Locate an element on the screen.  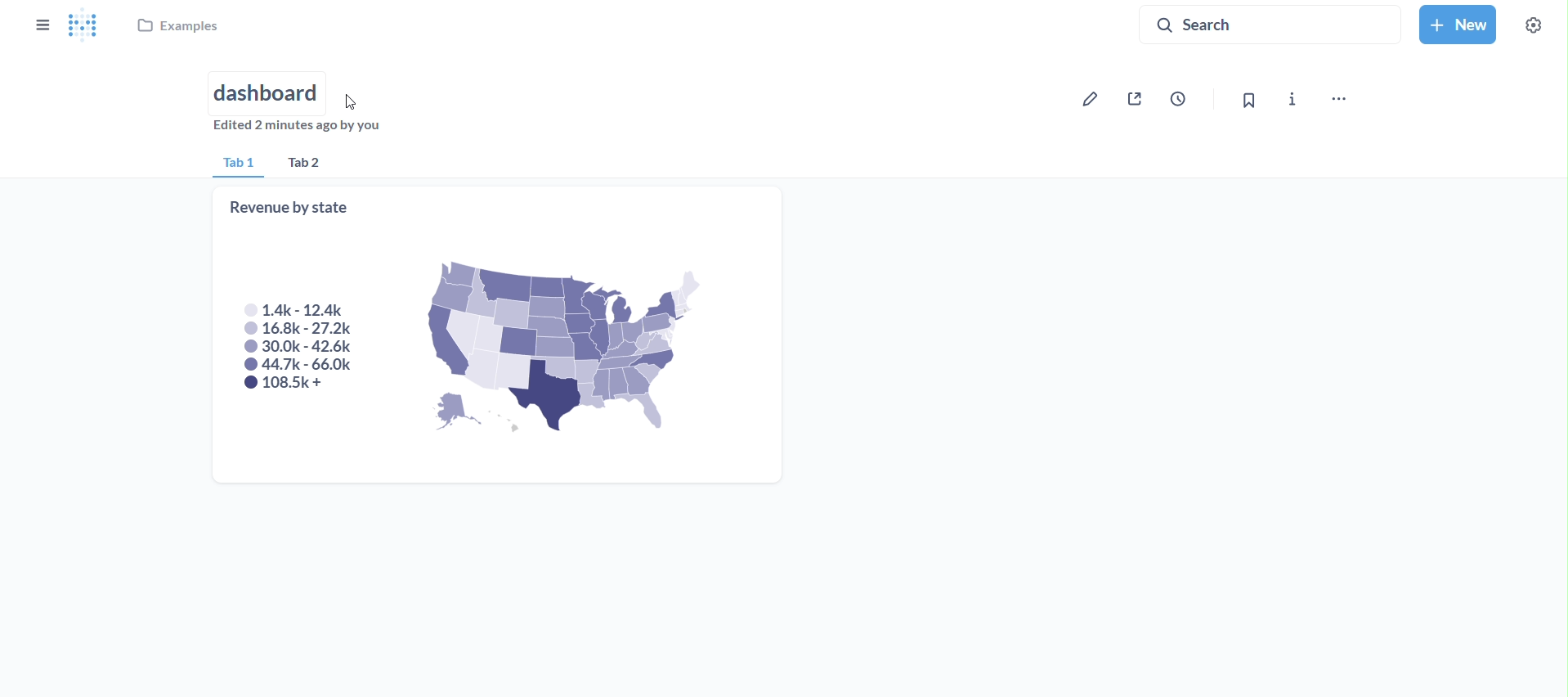
search is located at coordinates (1269, 25).